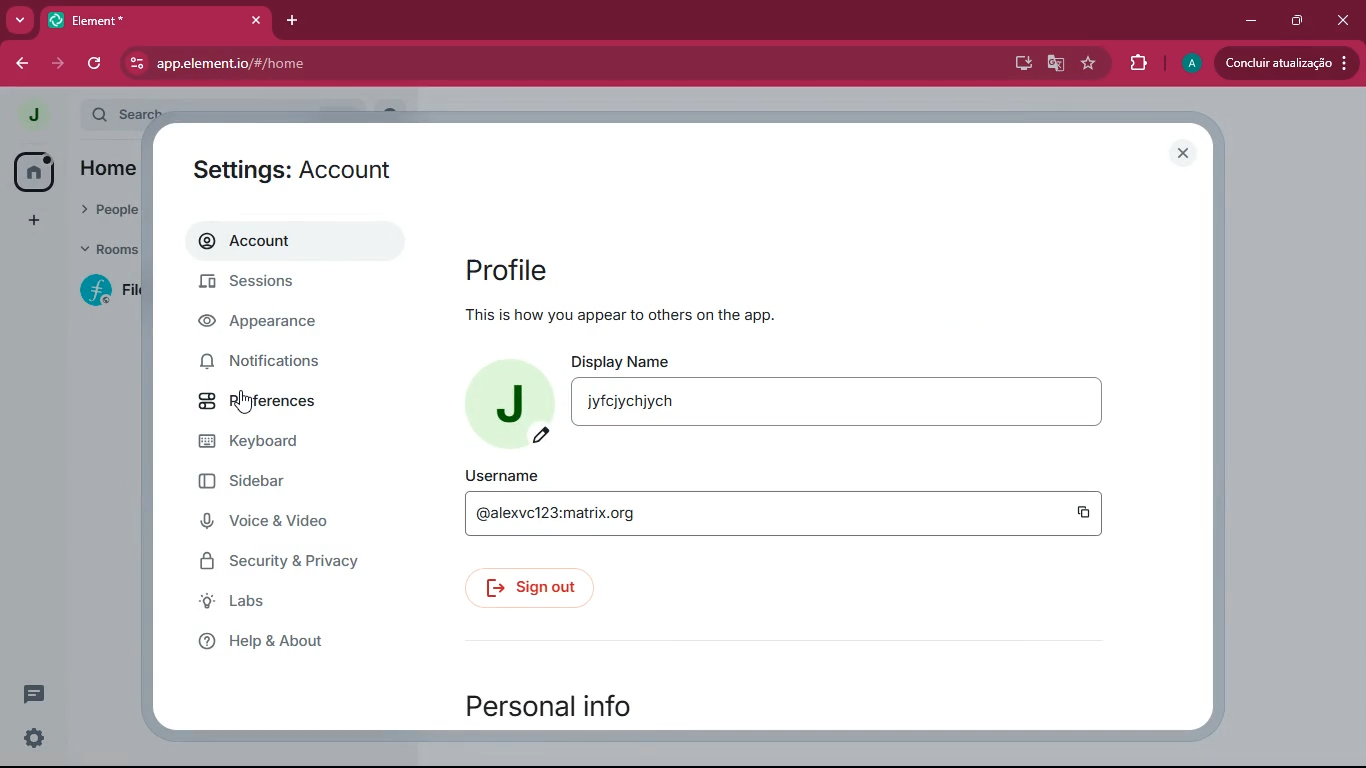 This screenshot has height=768, width=1366. Describe the element at coordinates (548, 706) in the screenshot. I see `personal info` at that location.